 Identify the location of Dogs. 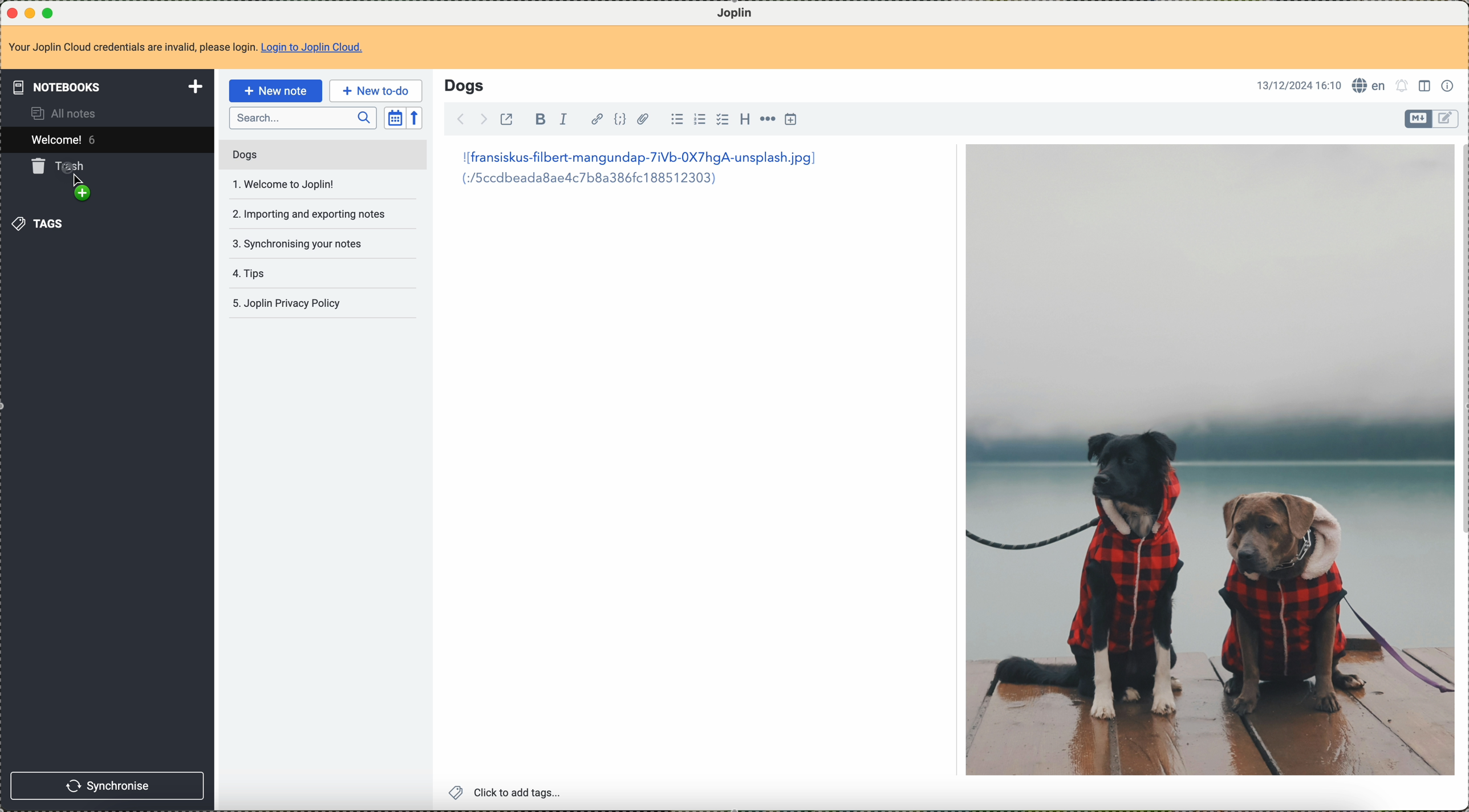
(464, 84).